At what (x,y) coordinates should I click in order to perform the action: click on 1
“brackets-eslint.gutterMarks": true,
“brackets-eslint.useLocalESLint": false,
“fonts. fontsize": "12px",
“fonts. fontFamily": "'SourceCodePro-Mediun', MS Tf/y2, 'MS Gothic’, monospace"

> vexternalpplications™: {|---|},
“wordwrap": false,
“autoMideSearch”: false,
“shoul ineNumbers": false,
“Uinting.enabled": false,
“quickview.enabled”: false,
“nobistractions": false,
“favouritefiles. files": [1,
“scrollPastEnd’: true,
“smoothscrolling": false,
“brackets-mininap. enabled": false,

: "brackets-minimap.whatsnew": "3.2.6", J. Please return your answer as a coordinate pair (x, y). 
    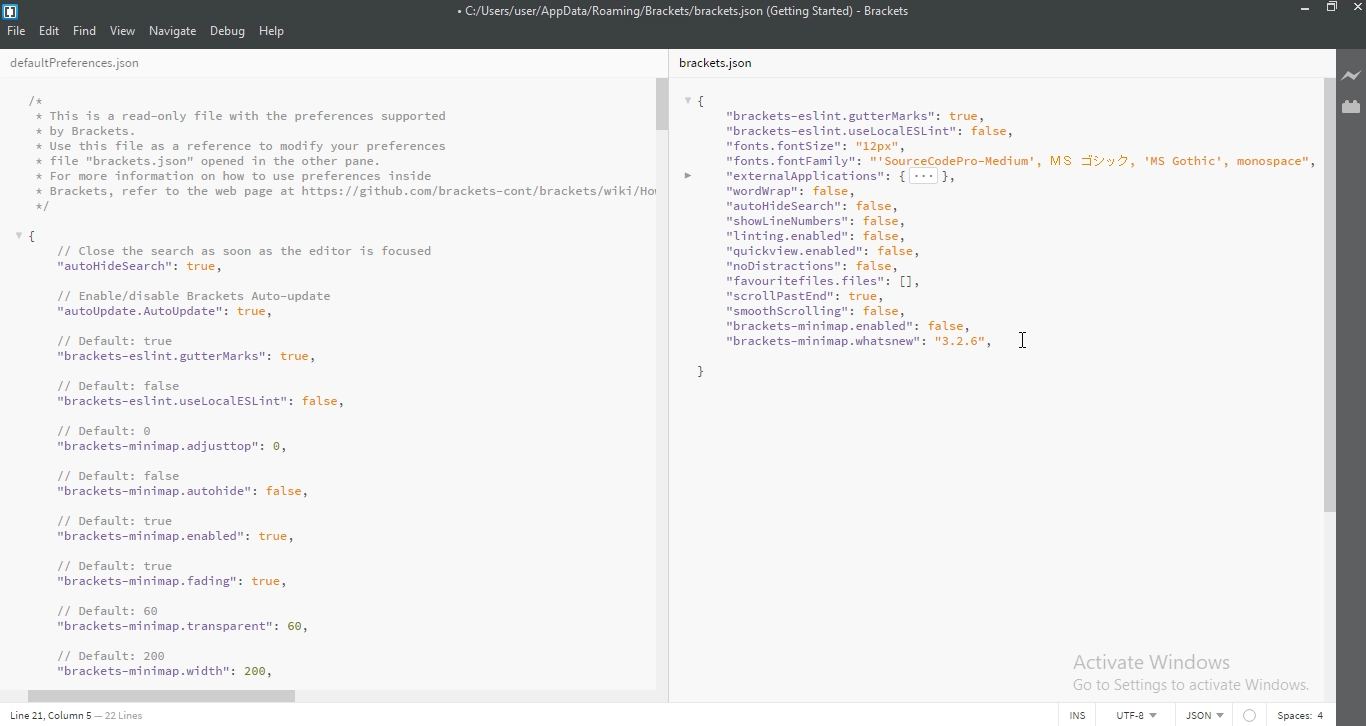
    Looking at the image, I should click on (997, 234).